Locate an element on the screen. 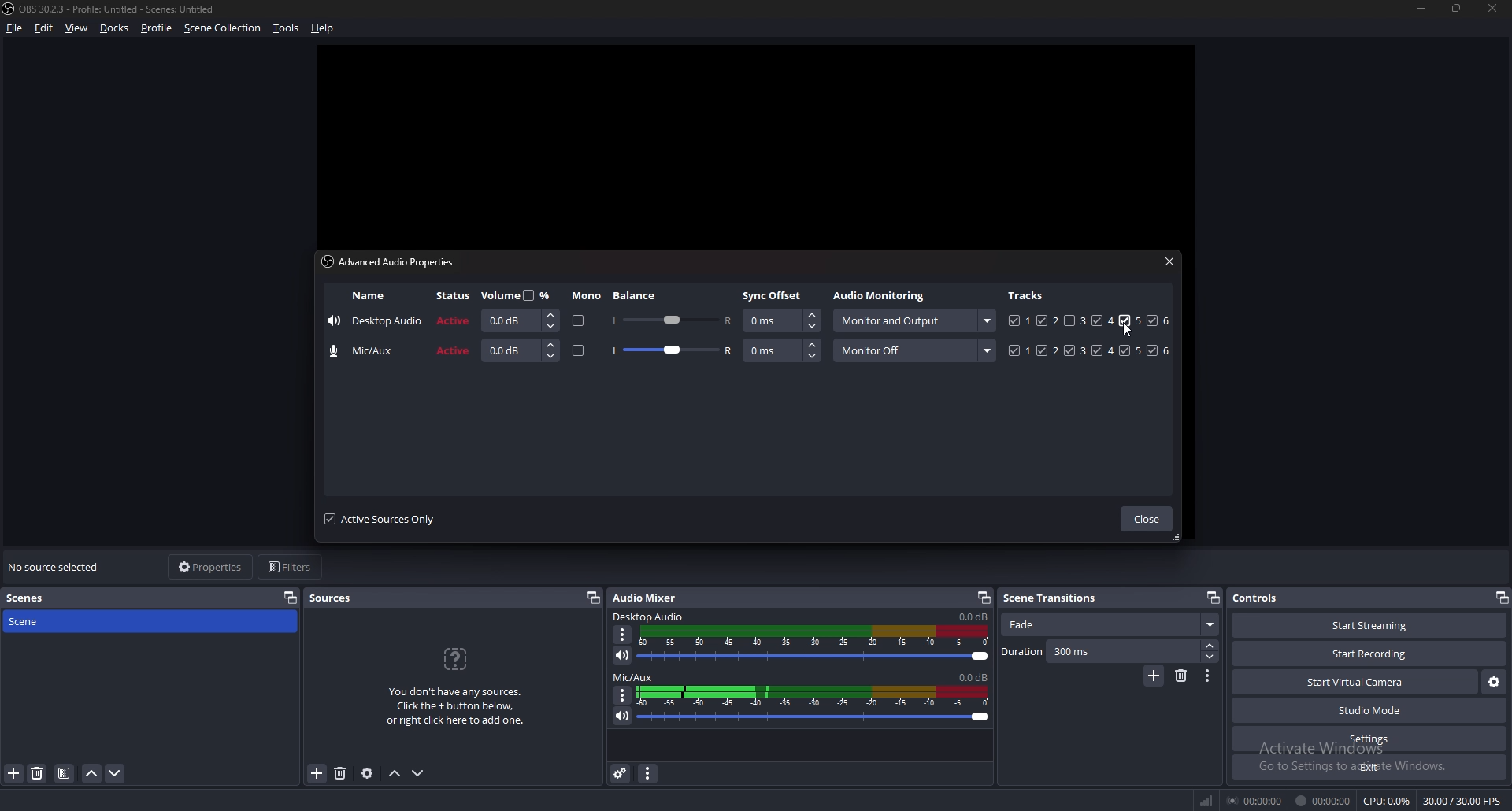 The width and height of the screenshot is (1512, 811). add scene is located at coordinates (1154, 676).